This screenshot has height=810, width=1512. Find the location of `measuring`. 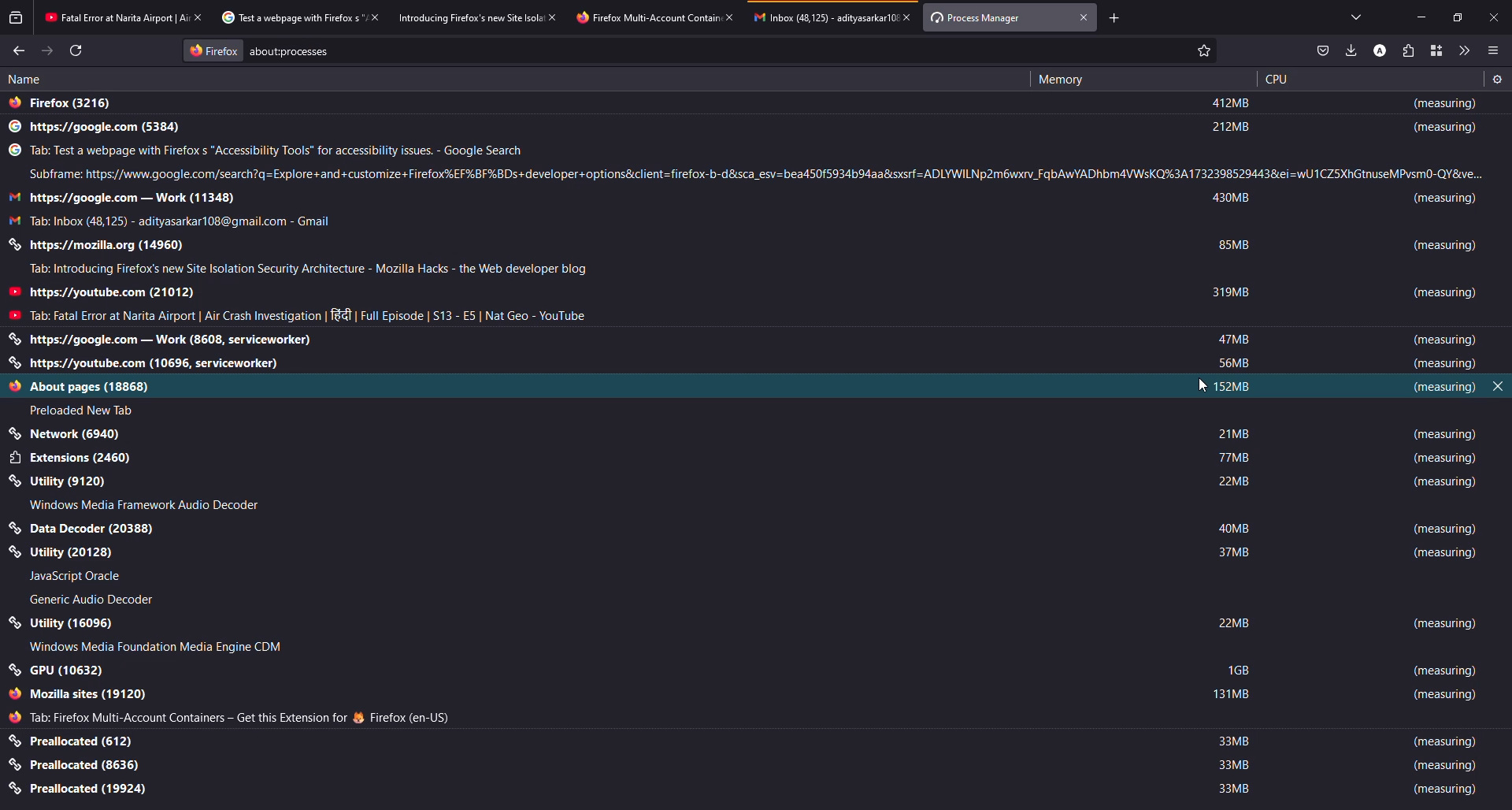

measuring is located at coordinates (1440, 459).